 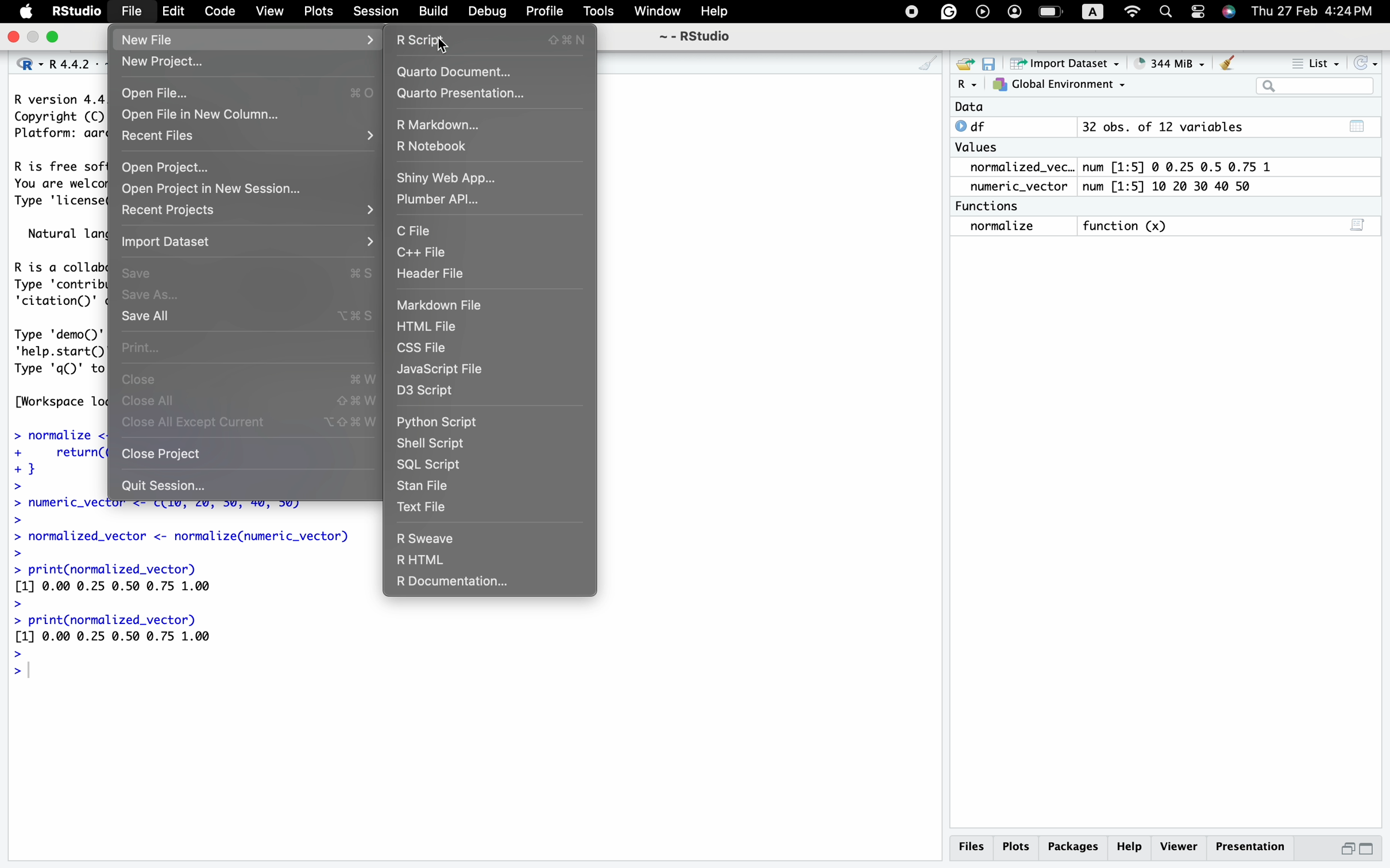 What do you see at coordinates (167, 486) in the screenshot?
I see `Quit Session` at bounding box center [167, 486].